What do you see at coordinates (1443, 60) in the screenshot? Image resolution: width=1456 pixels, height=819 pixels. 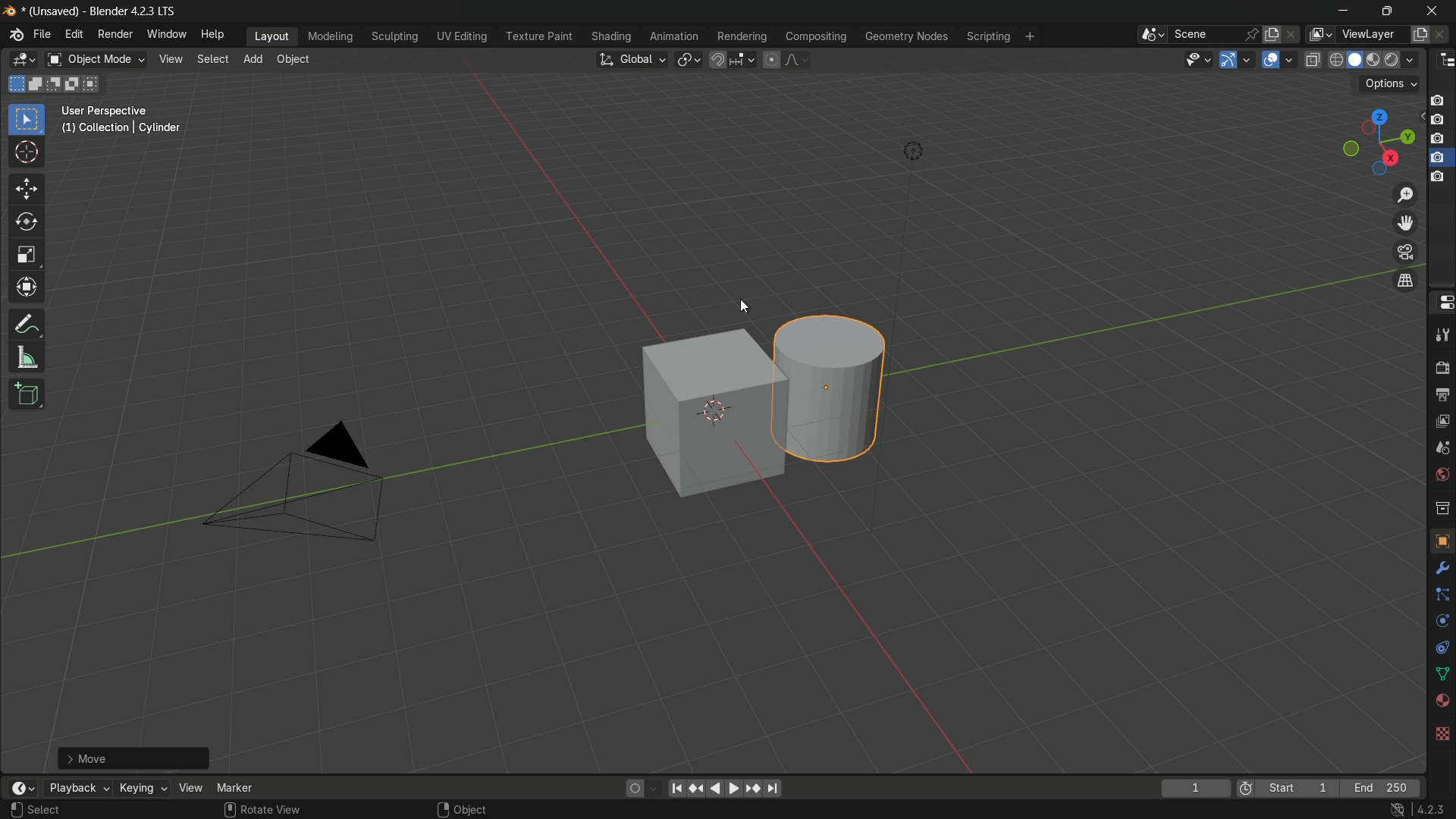 I see `outliner` at bounding box center [1443, 60].